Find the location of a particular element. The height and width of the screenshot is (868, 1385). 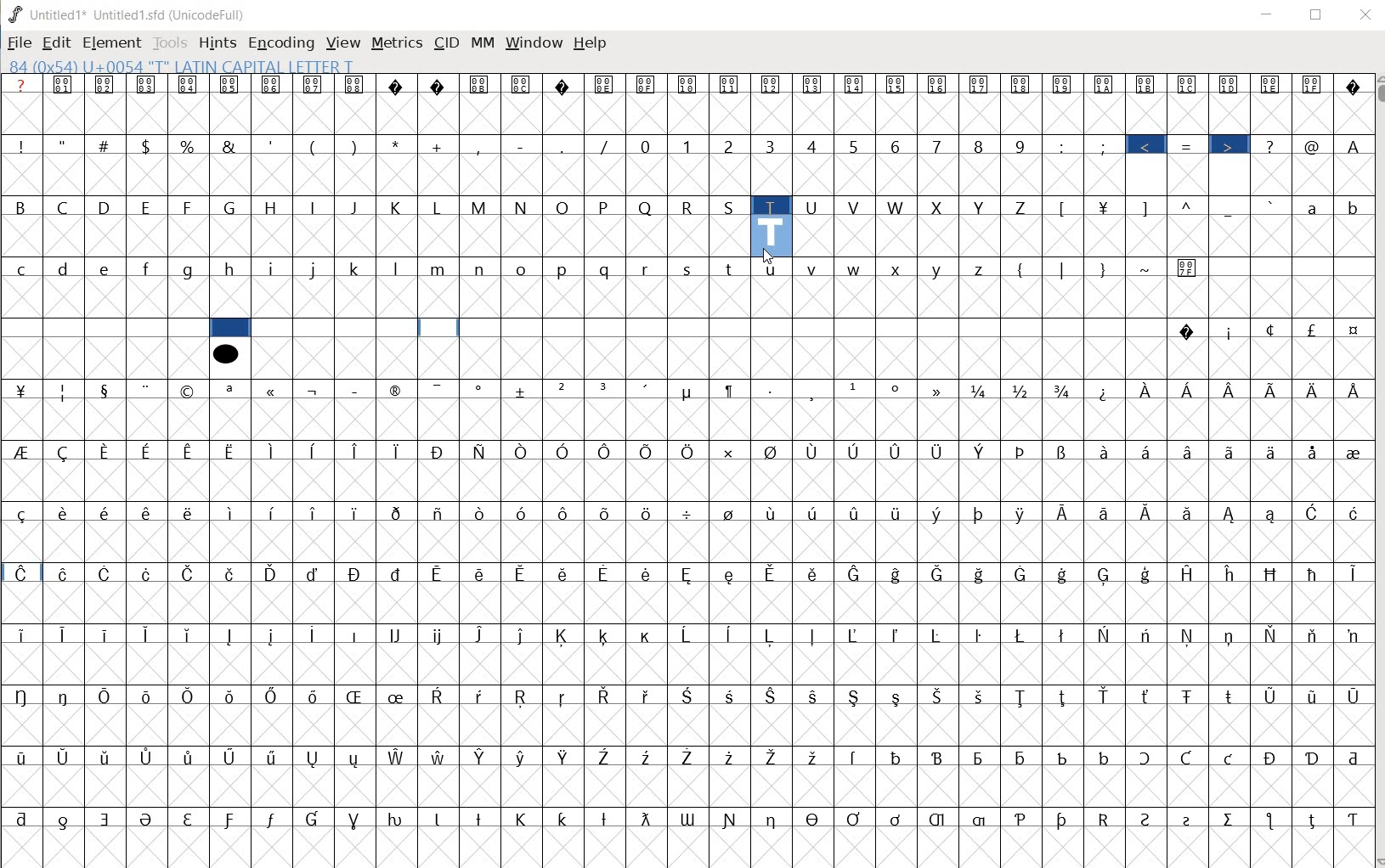

maximize is located at coordinates (1317, 14).